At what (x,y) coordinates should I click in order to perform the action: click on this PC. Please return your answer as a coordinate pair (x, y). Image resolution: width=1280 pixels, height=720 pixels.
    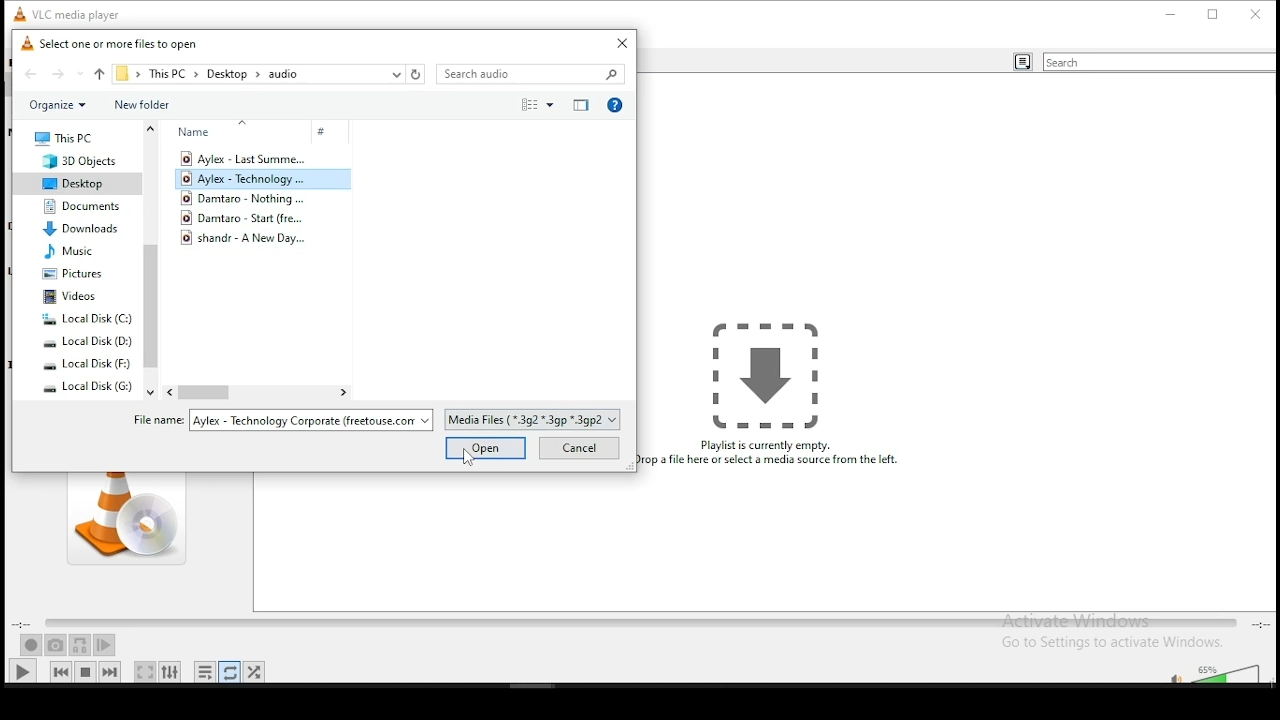
    Looking at the image, I should click on (67, 139).